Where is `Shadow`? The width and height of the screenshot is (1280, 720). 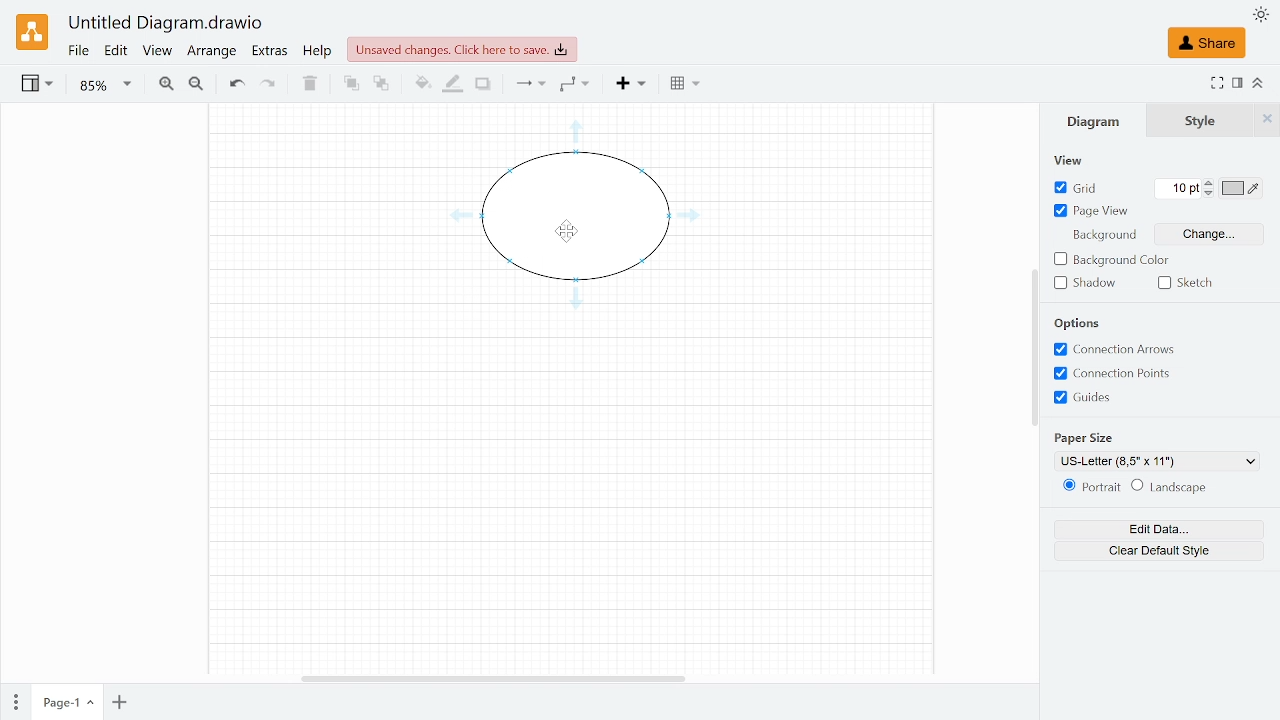
Shadow is located at coordinates (1084, 283).